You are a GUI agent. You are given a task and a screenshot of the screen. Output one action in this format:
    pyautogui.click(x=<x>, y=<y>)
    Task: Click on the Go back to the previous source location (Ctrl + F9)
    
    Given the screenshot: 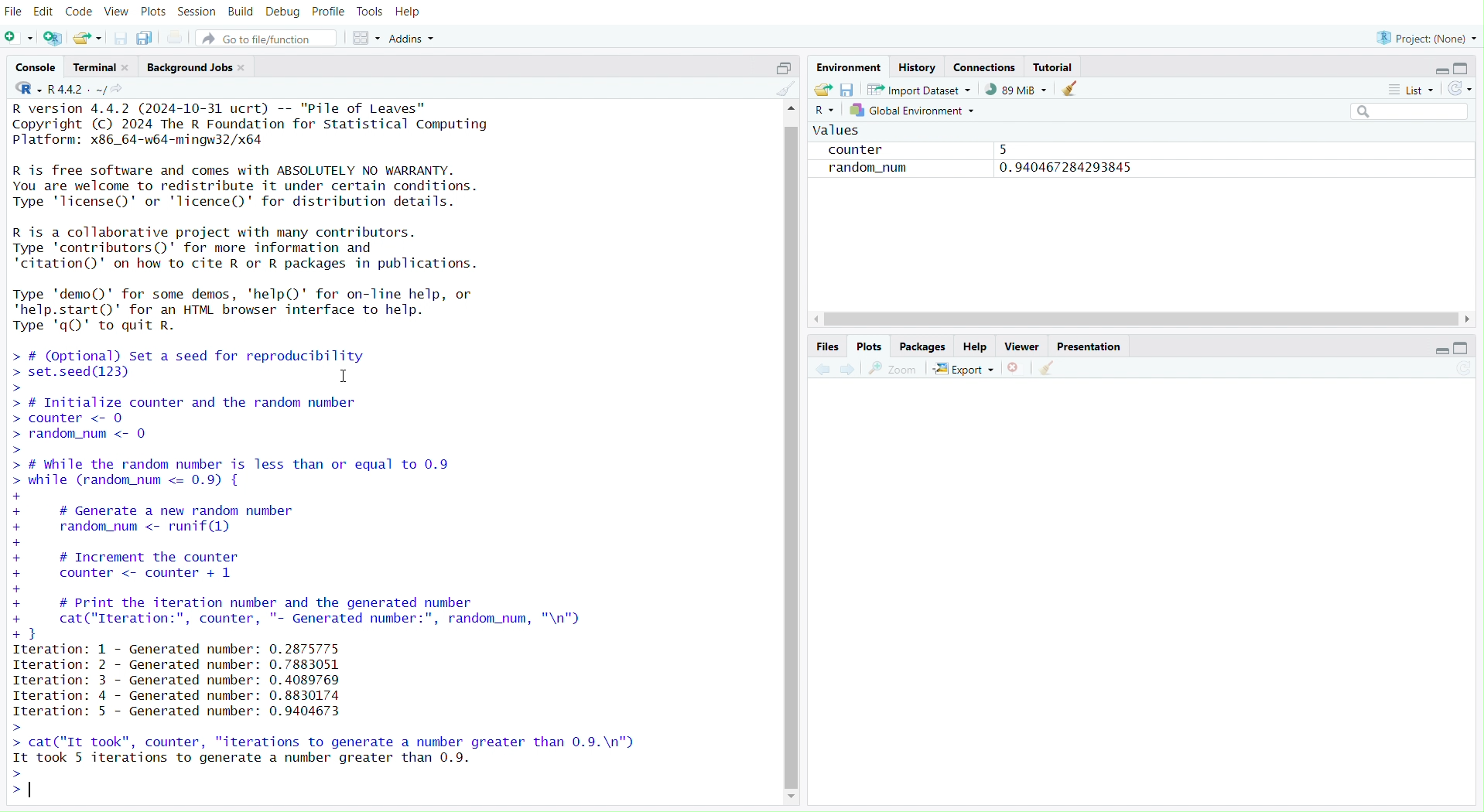 What is the action you would take?
    pyautogui.click(x=819, y=370)
    